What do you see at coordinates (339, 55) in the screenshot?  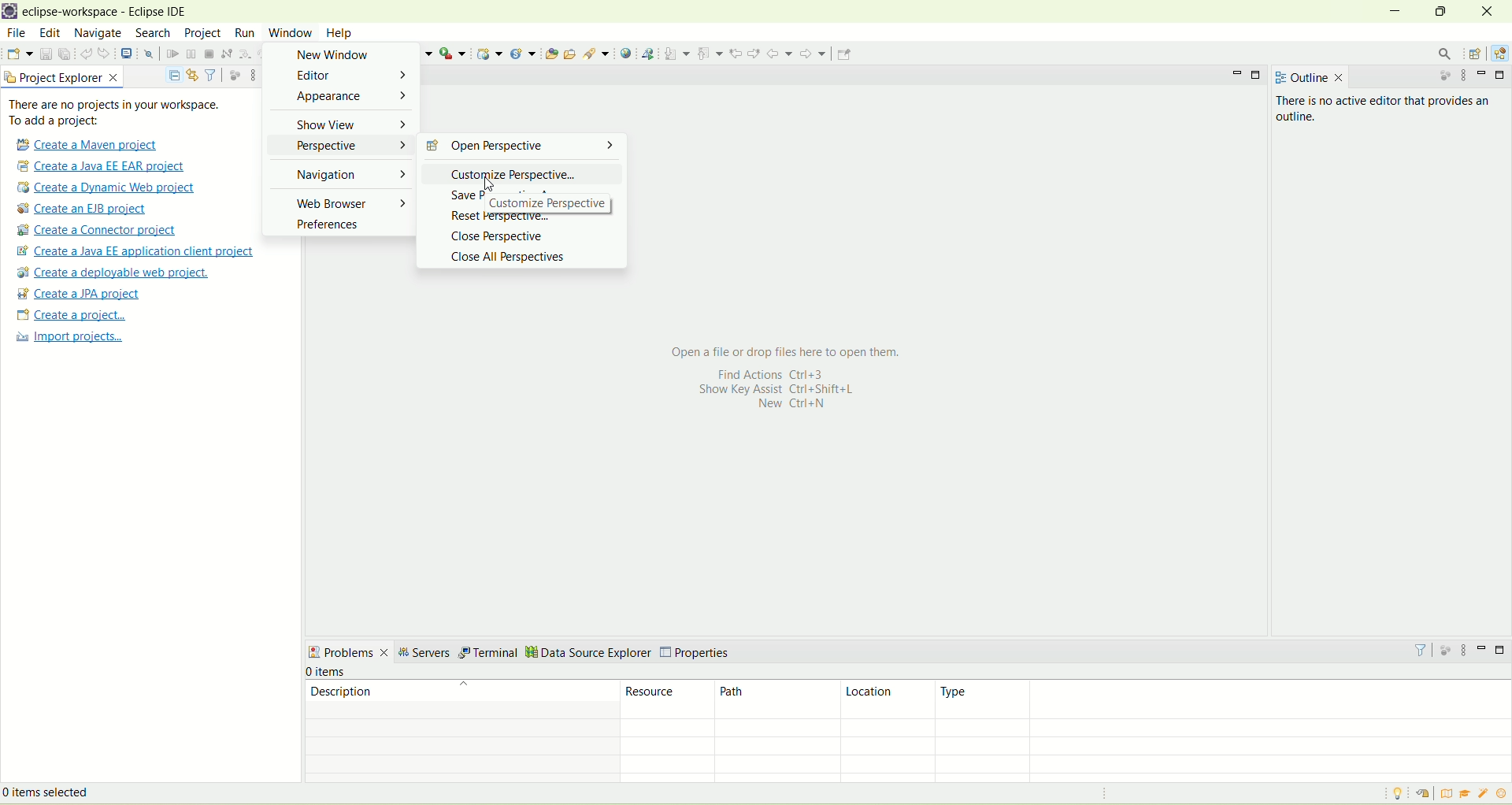 I see `new window` at bounding box center [339, 55].